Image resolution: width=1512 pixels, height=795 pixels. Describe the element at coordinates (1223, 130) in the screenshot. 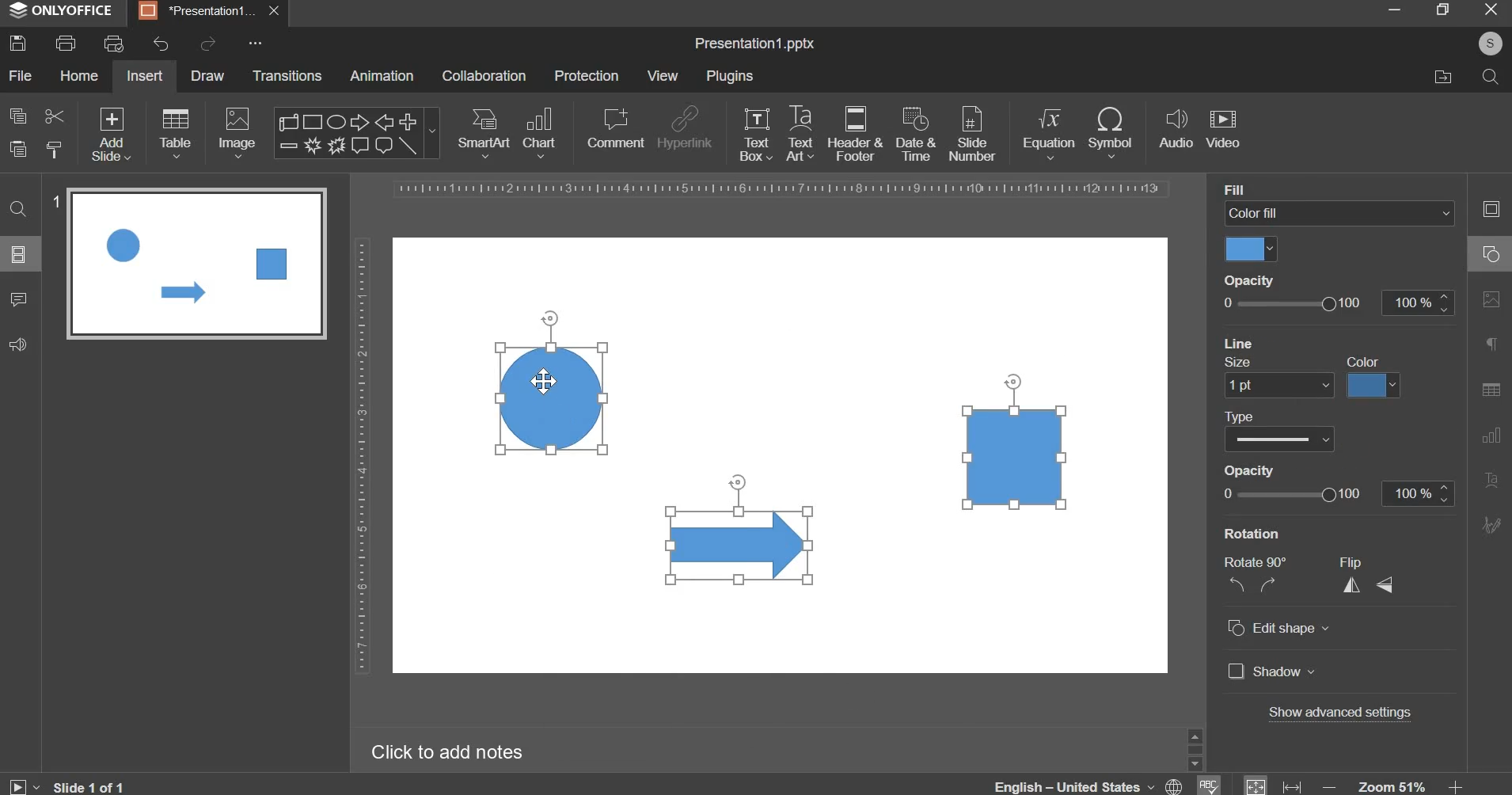

I see `video` at that location.